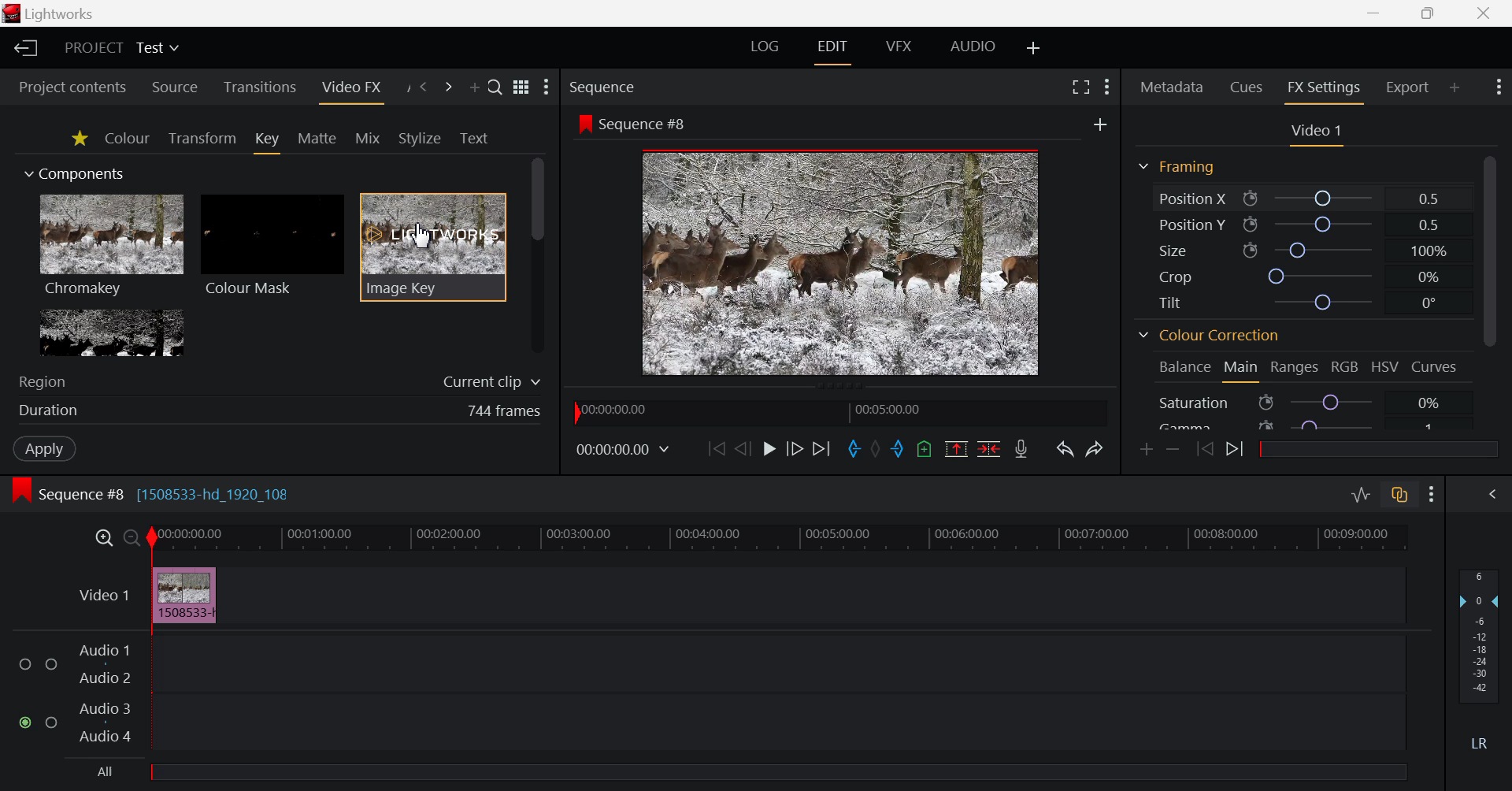 The width and height of the screenshot is (1512, 791). I want to click on Saturation , so click(1332, 403).